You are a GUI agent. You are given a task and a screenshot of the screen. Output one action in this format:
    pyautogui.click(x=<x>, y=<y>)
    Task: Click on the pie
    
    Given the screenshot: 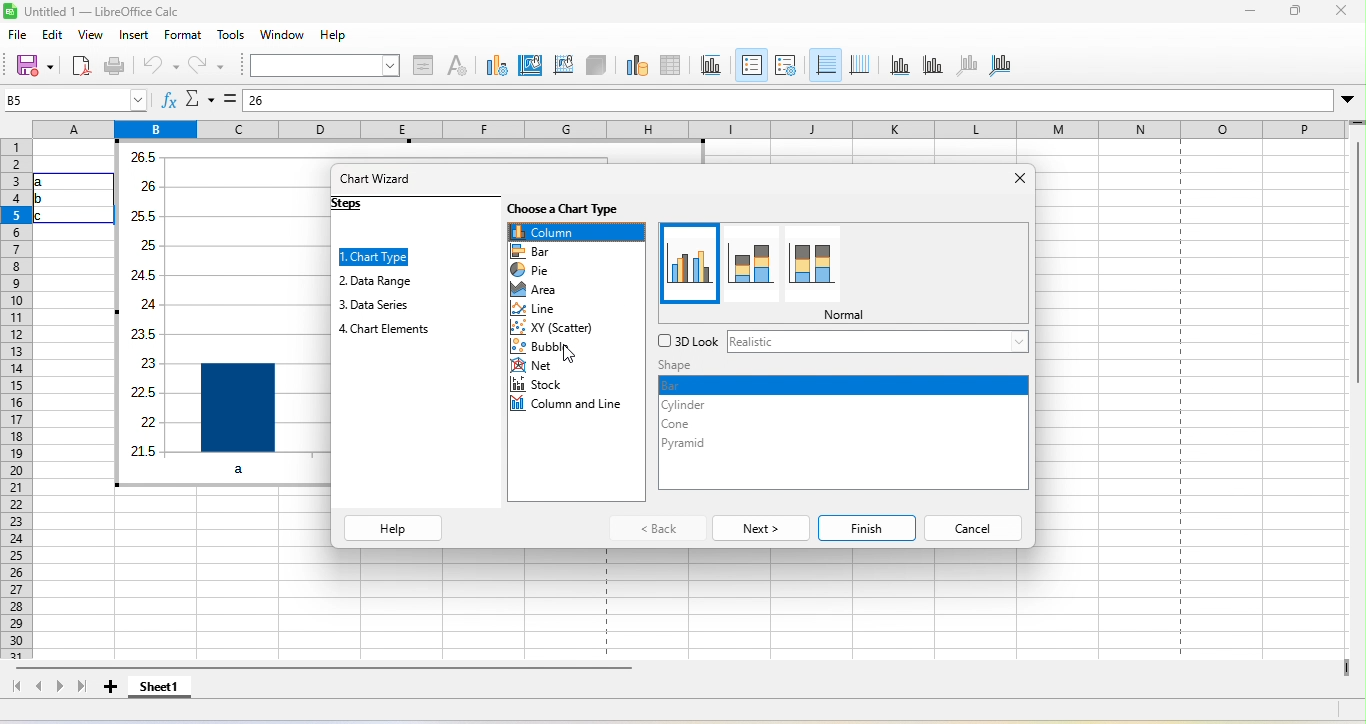 What is the action you would take?
    pyautogui.click(x=537, y=271)
    